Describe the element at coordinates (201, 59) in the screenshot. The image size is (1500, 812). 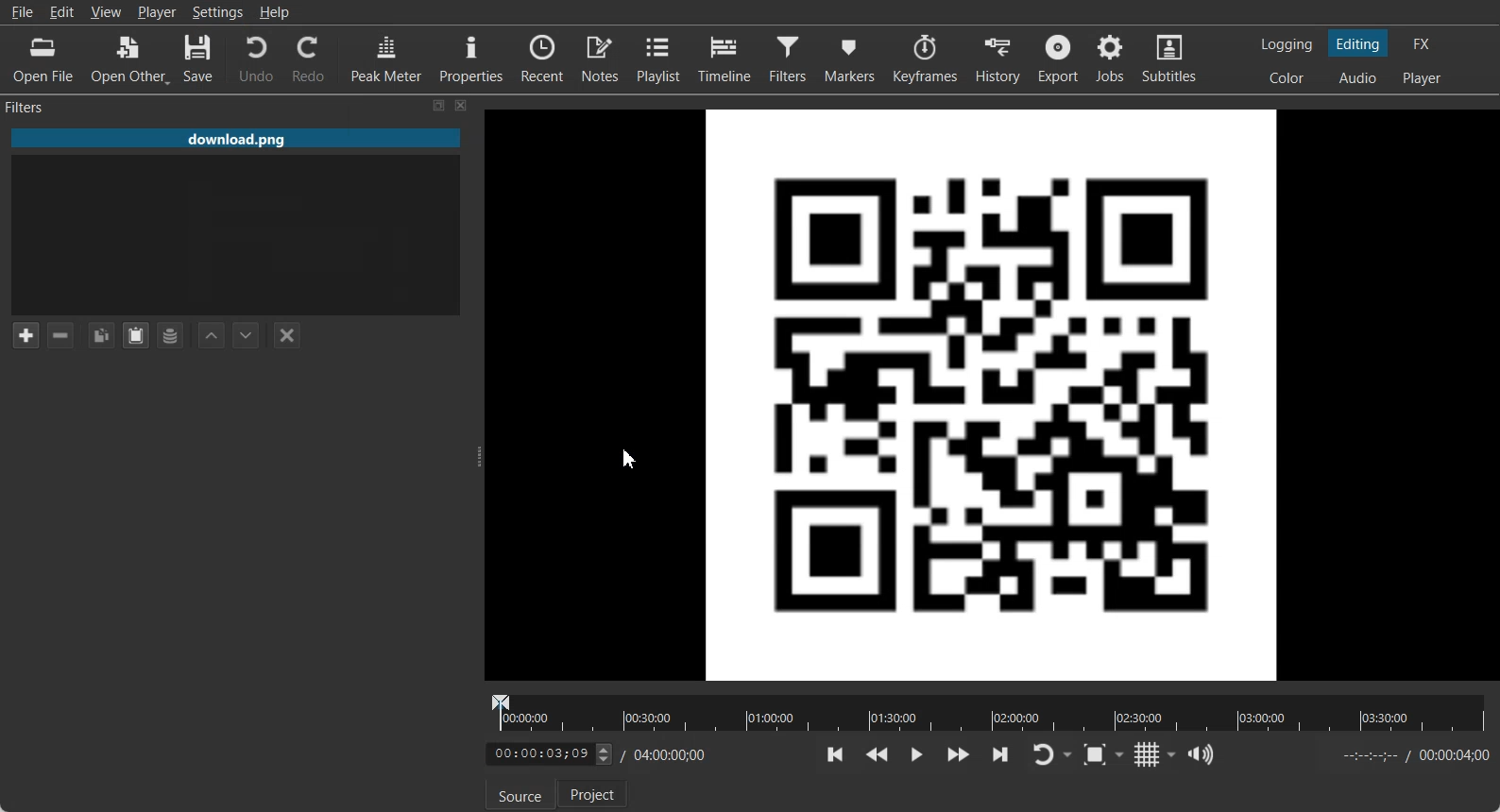
I see `Save` at that location.